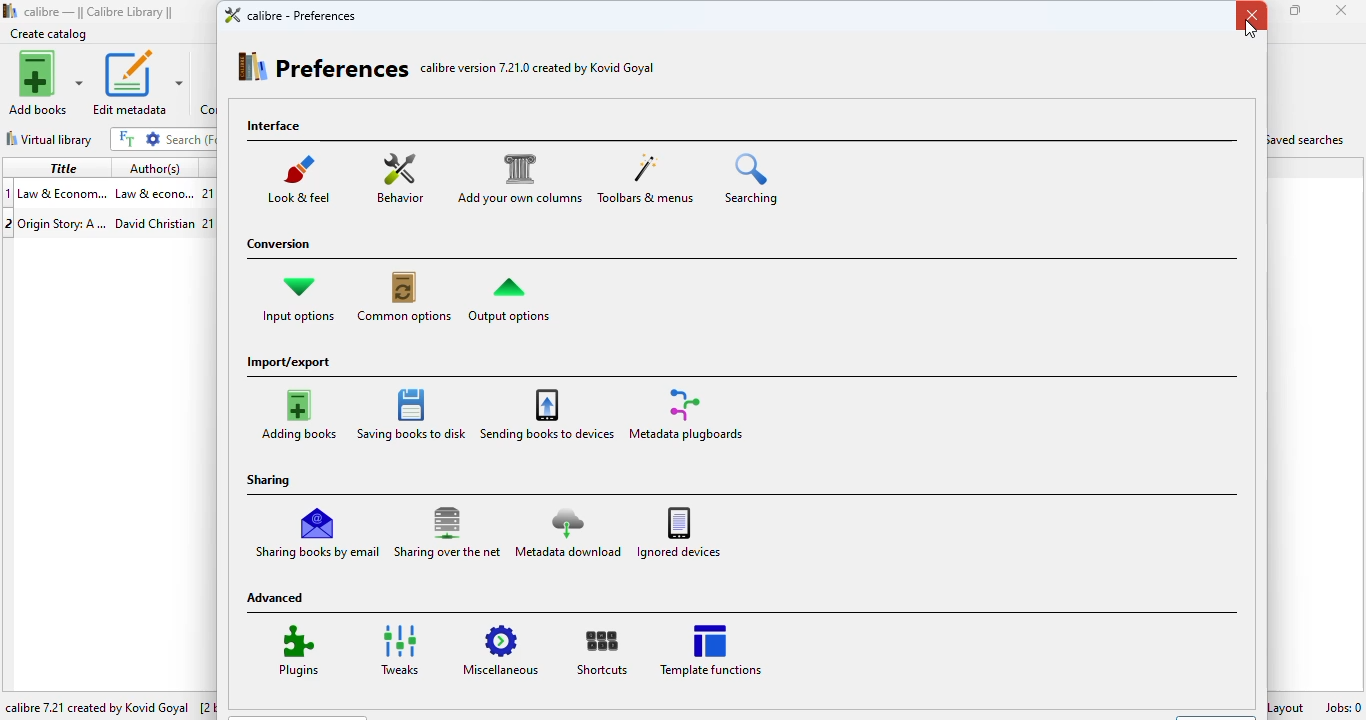  Describe the element at coordinates (1307, 139) in the screenshot. I see `saved searches` at that location.